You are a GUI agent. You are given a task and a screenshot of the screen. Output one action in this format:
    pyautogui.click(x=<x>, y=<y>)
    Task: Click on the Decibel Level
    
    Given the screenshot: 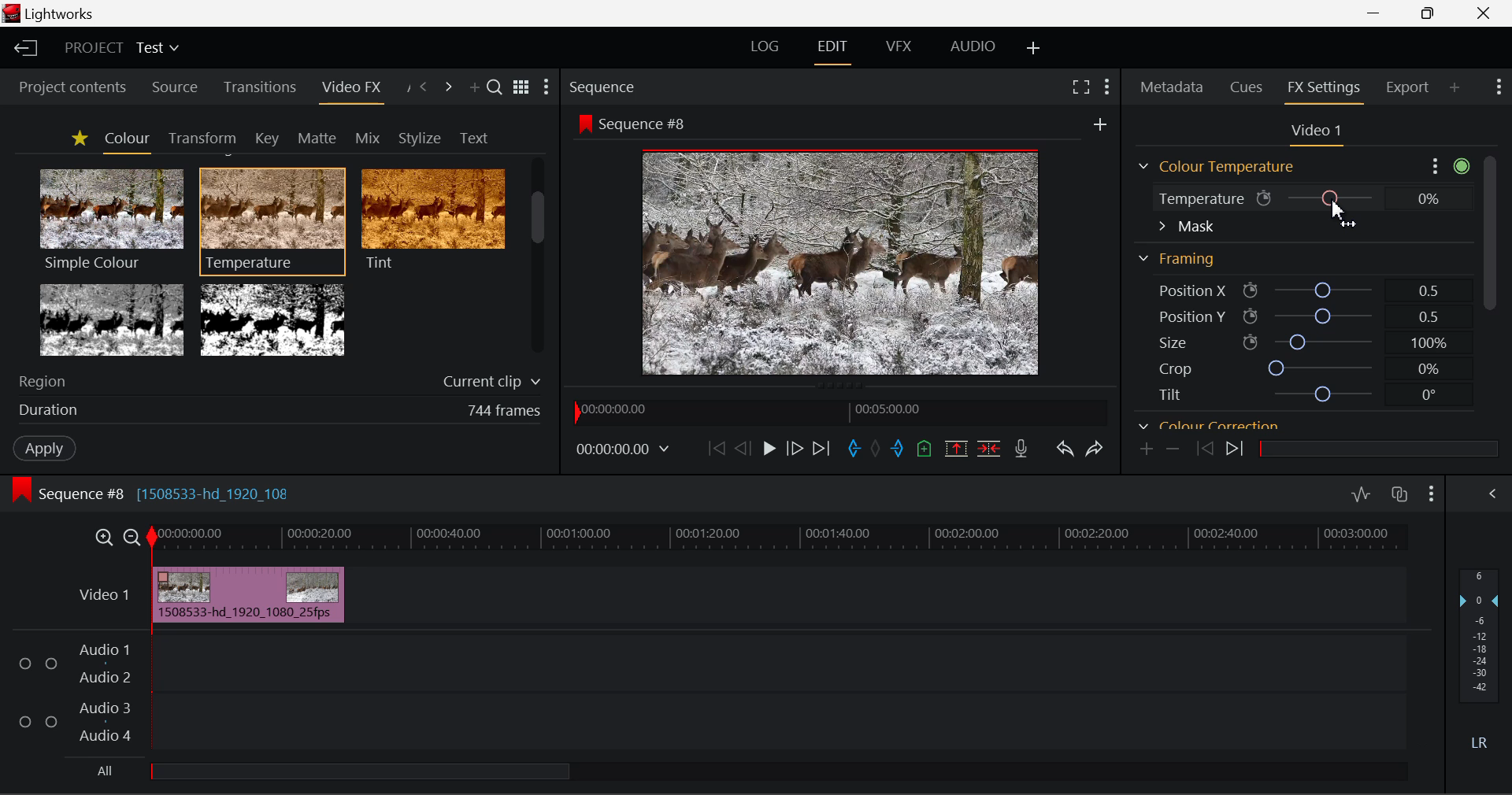 What is the action you would take?
    pyautogui.click(x=1480, y=656)
    